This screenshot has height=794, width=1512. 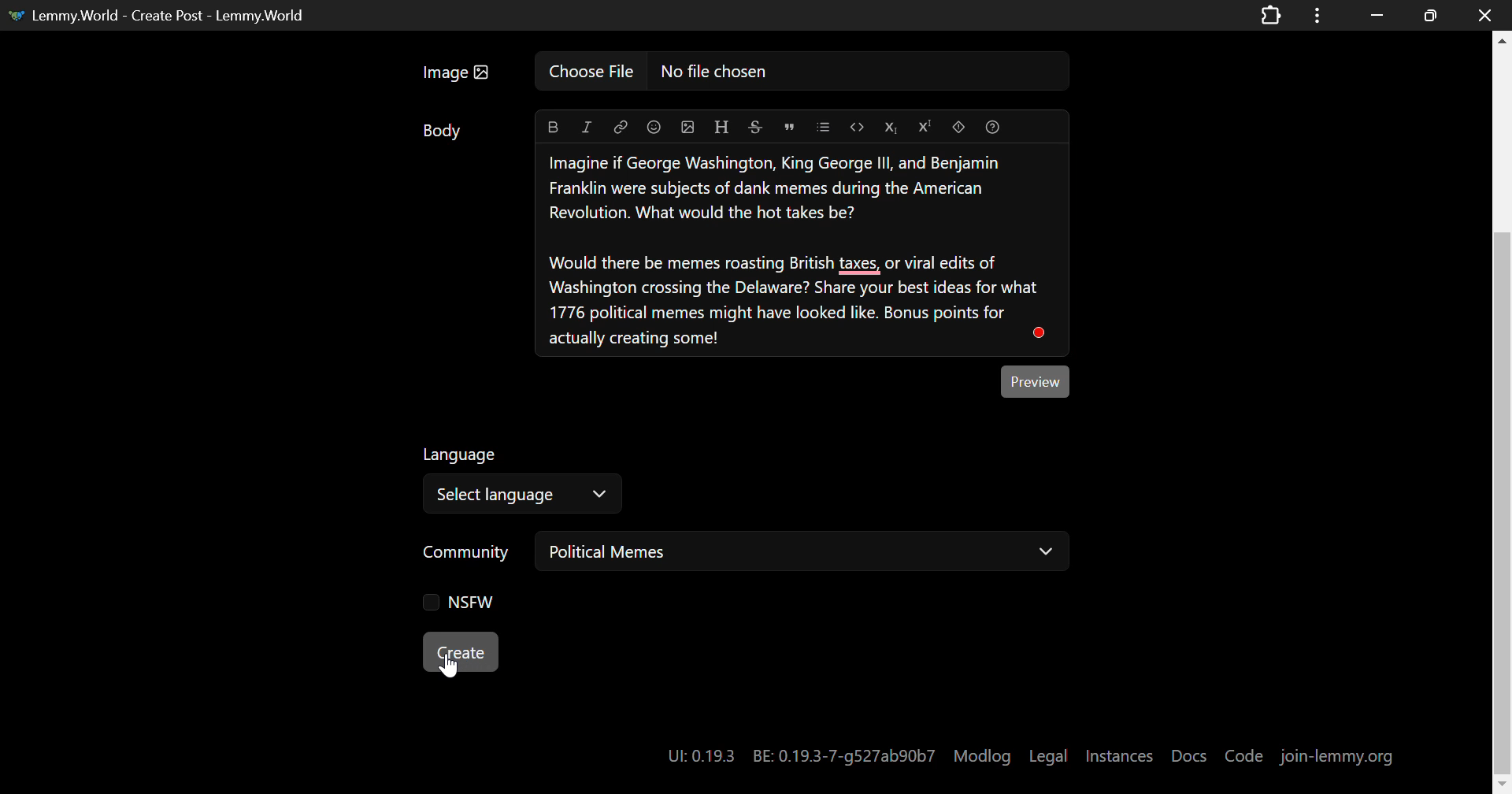 What do you see at coordinates (621, 128) in the screenshot?
I see `Link` at bounding box center [621, 128].